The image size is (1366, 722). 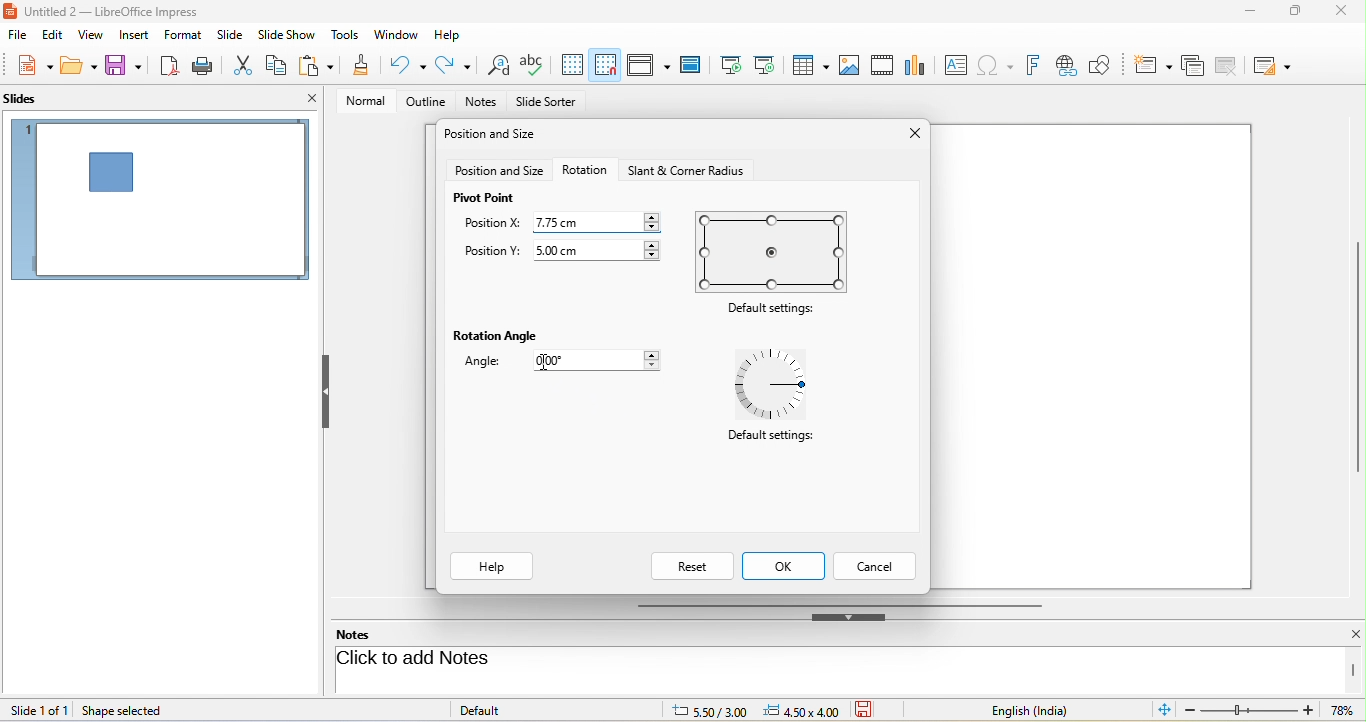 What do you see at coordinates (499, 171) in the screenshot?
I see `position and size` at bounding box center [499, 171].